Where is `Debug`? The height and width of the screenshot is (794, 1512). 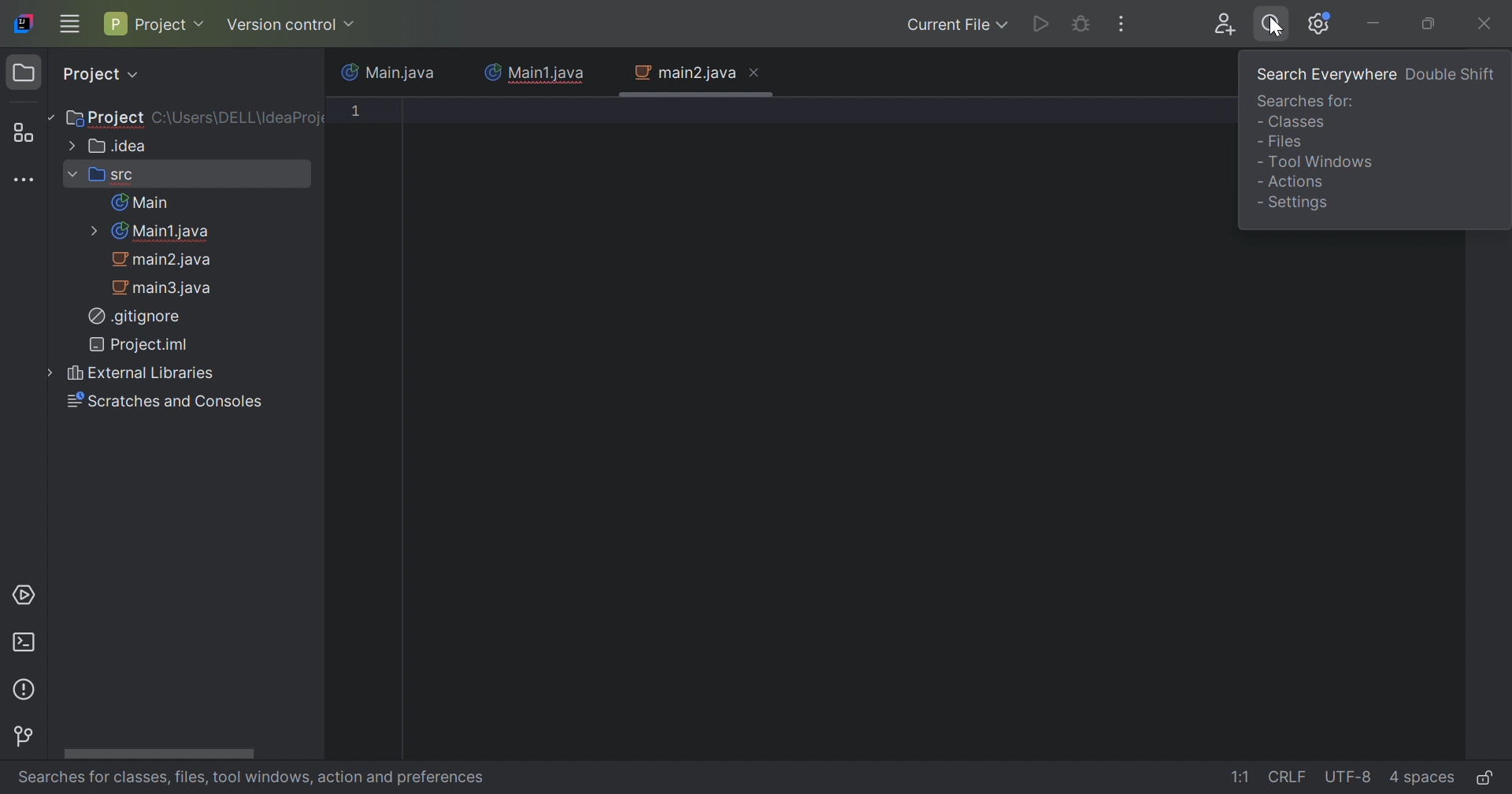 Debug is located at coordinates (1082, 25).